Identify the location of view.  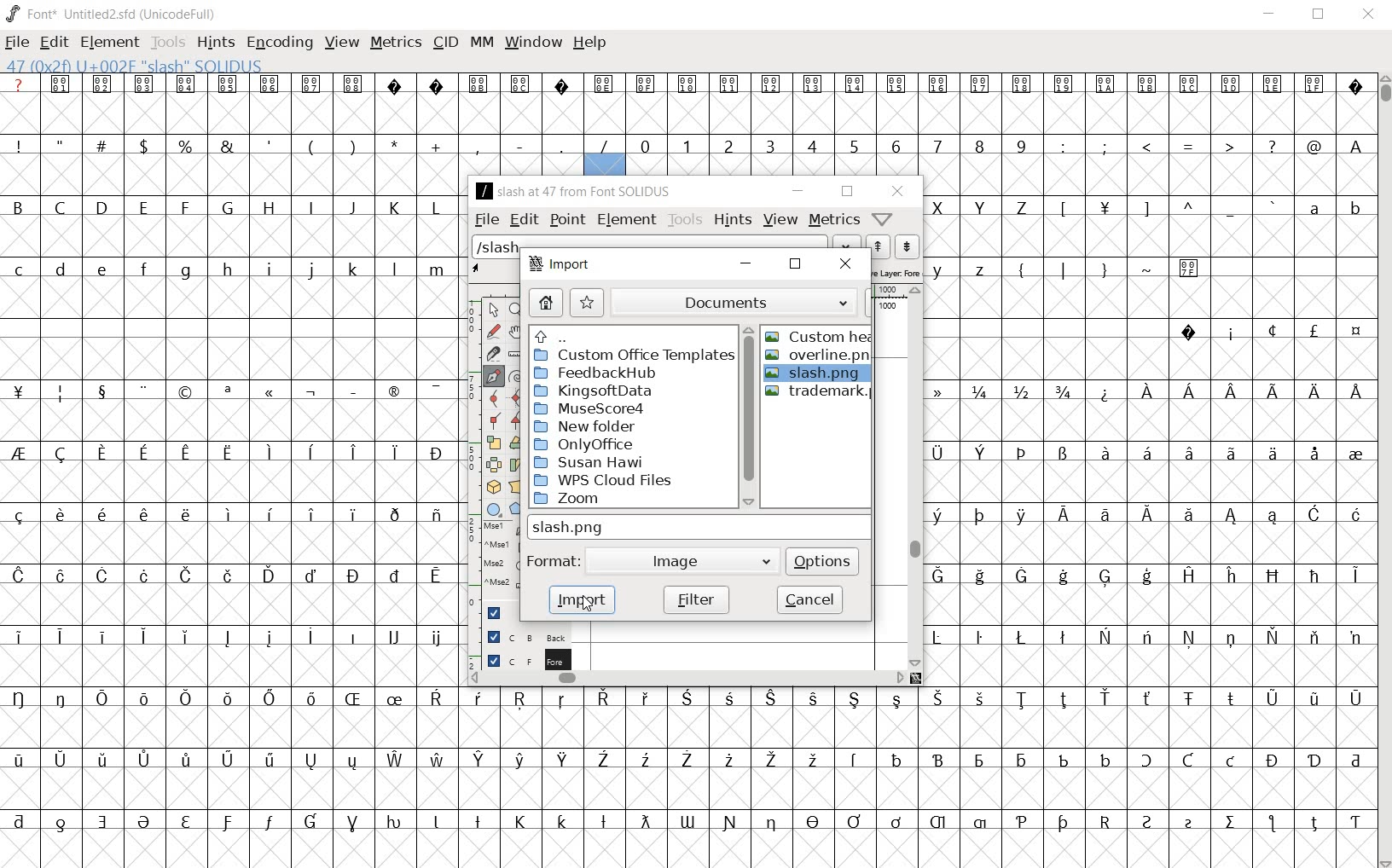
(781, 221).